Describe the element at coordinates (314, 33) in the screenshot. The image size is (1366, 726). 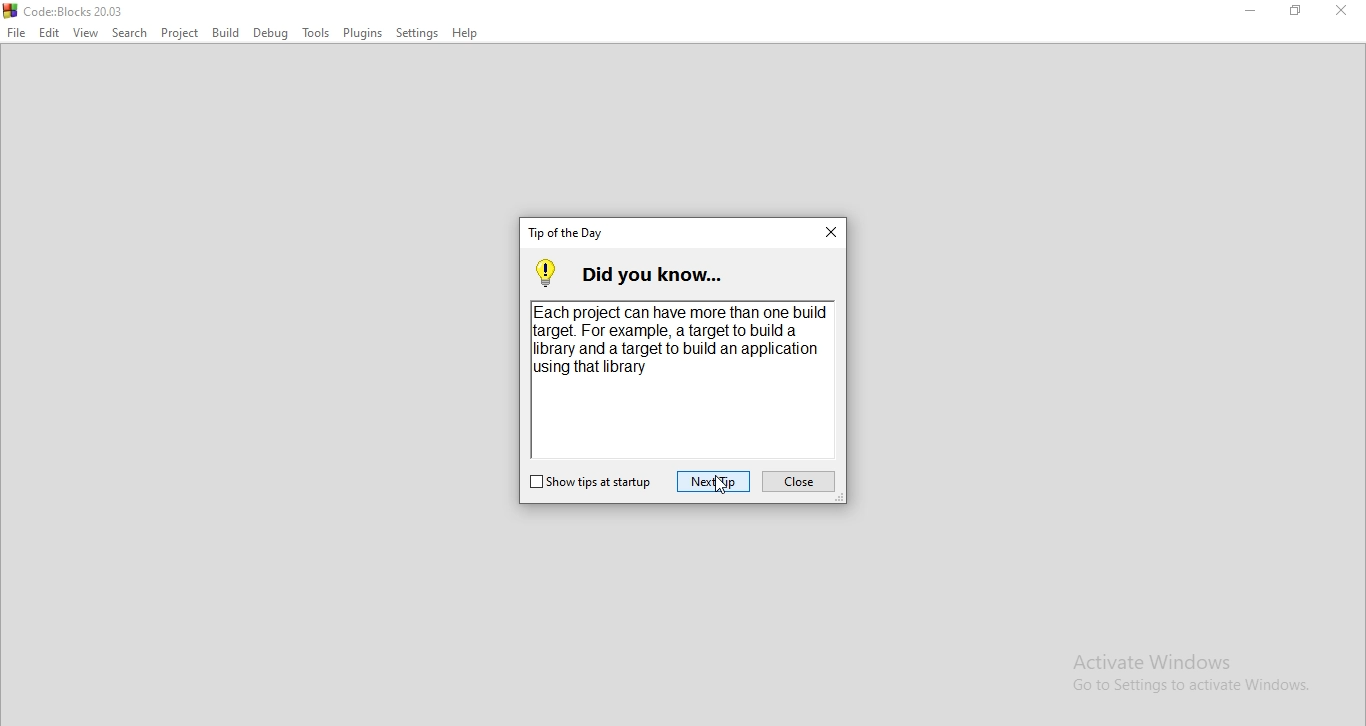
I see `Tools ` at that location.